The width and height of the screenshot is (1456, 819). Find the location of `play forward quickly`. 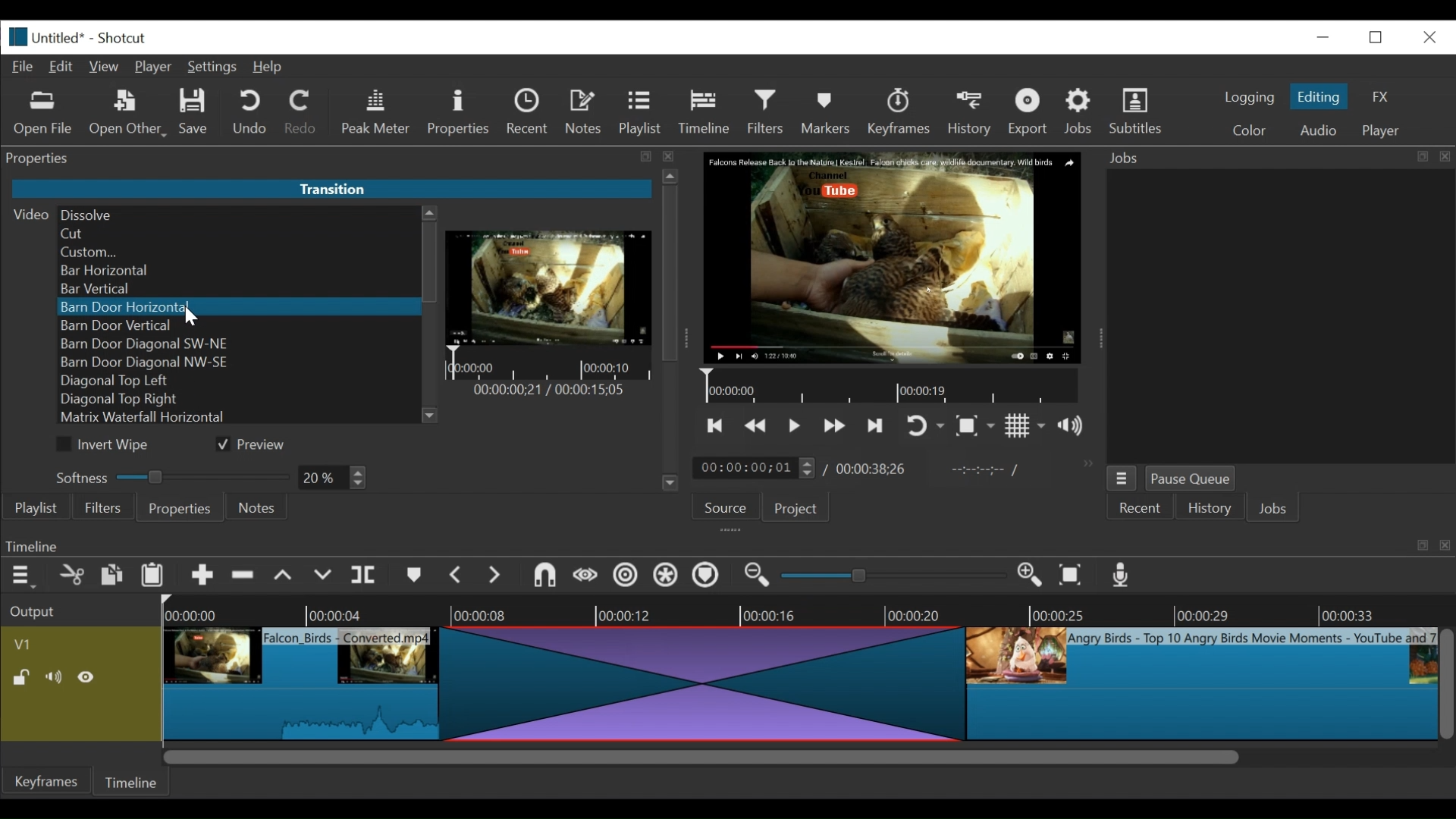

play forward quickly is located at coordinates (836, 428).